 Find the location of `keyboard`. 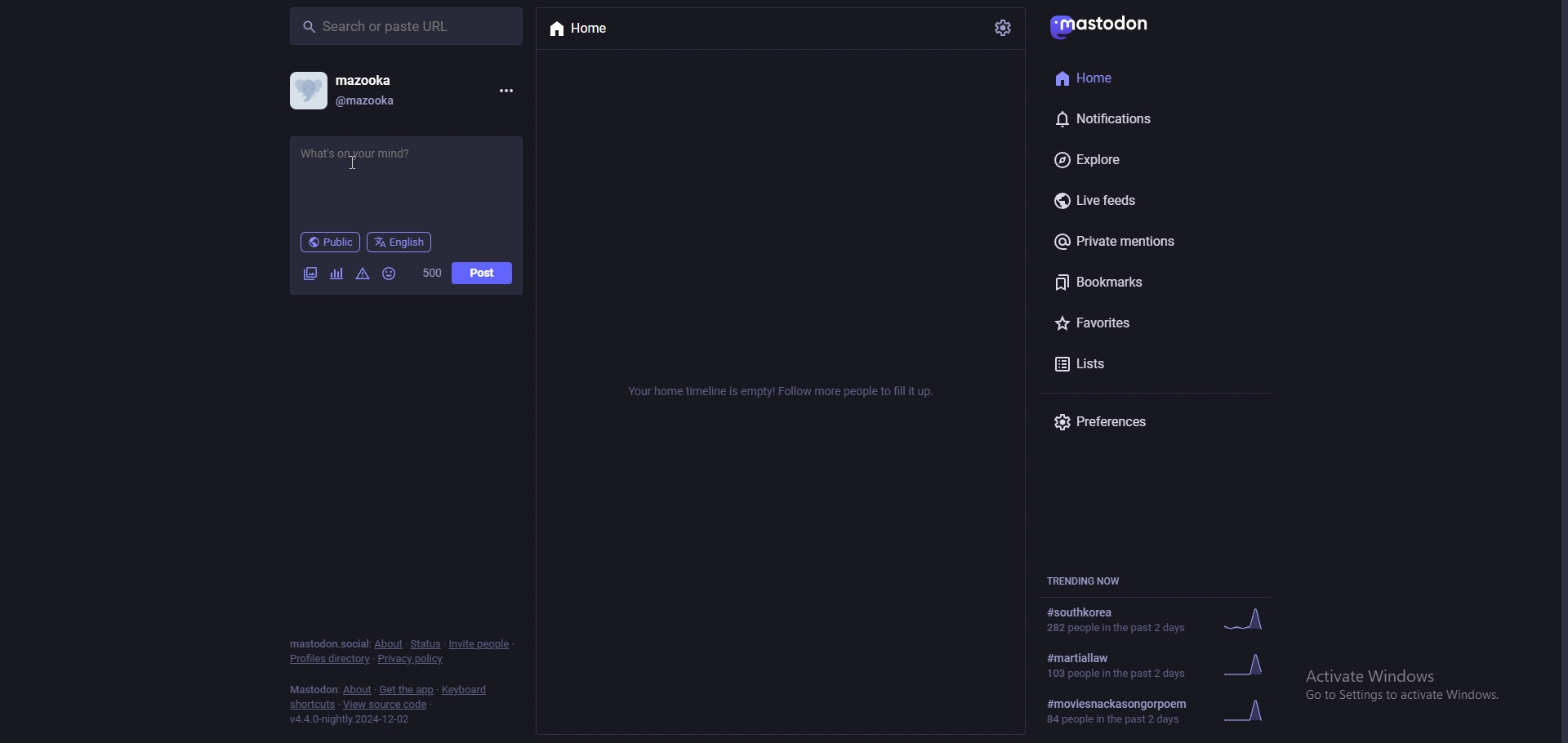

keyboard is located at coordinates (467, 690).